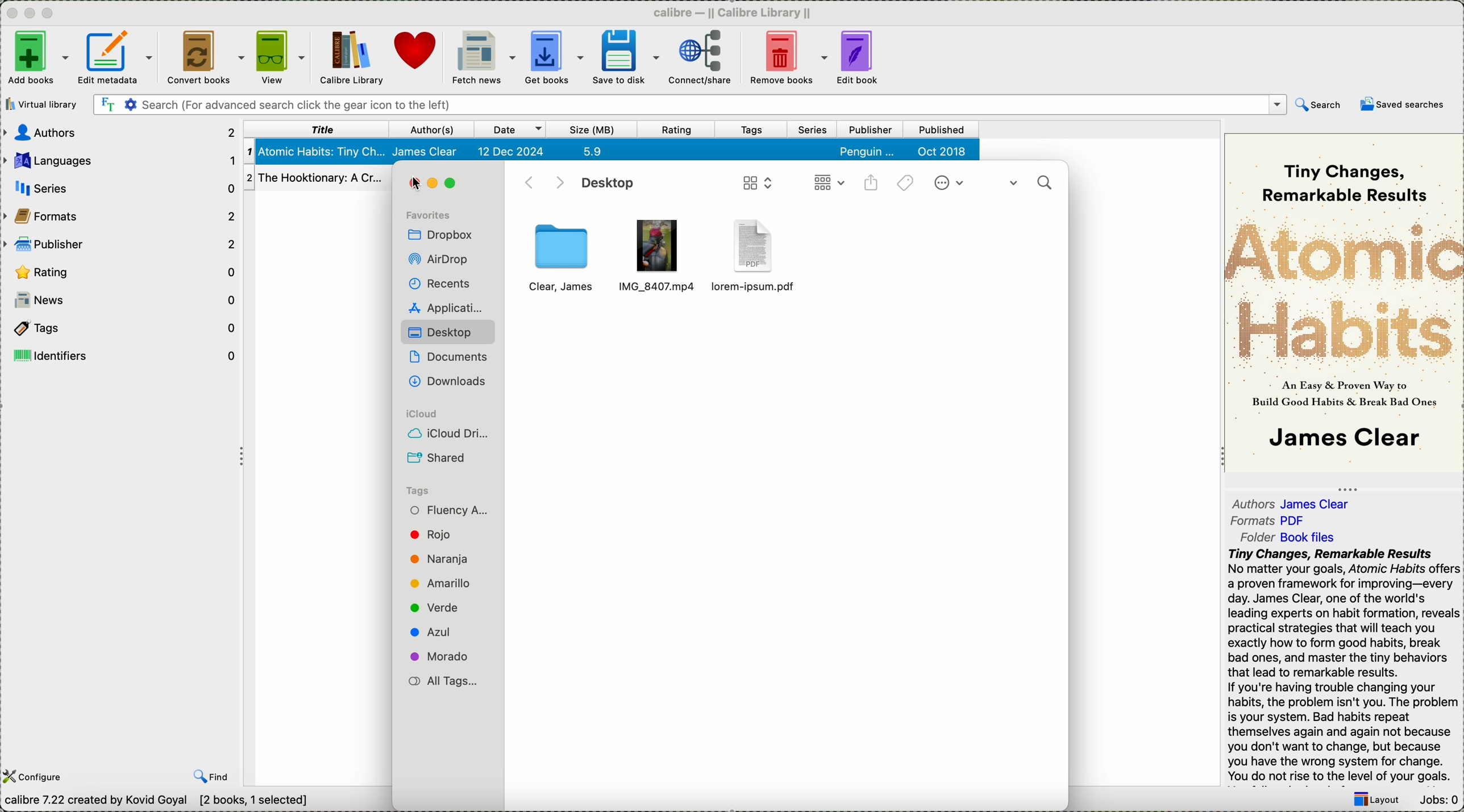 This screenshot has width=1464, height=812. I want to click on minimize, so click(436, 185).